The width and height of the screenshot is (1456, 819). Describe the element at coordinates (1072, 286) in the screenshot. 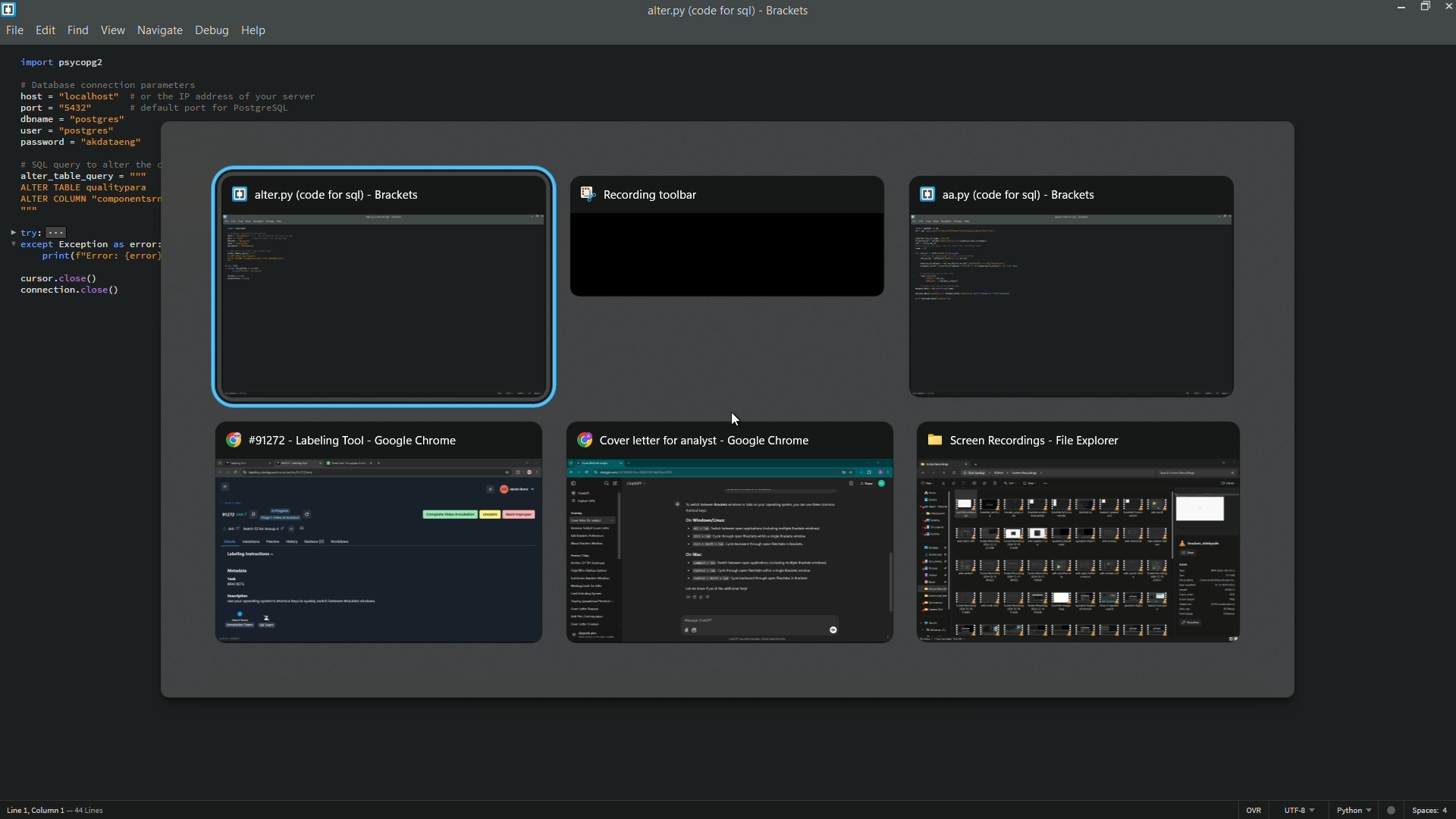

I see `aa.py (code for sql) - Brackets window` at that location.